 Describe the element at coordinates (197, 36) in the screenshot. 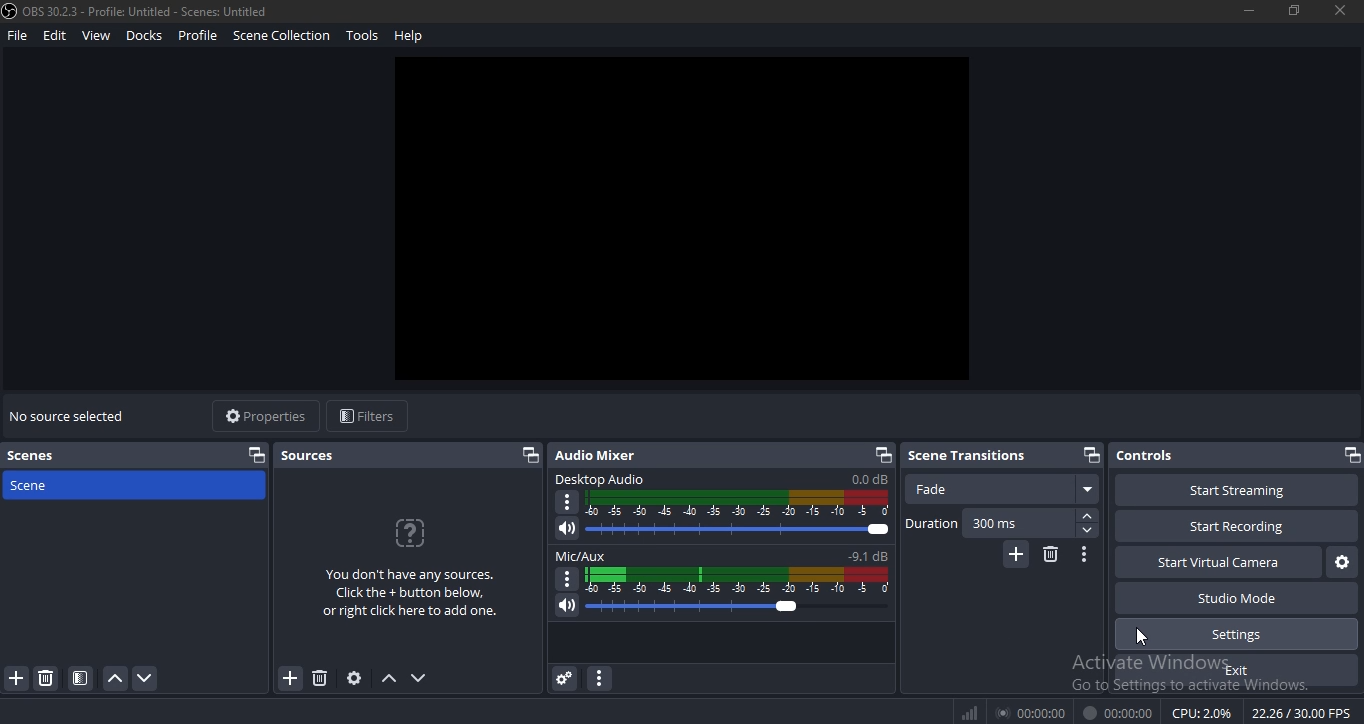

I see `profile` at that location.